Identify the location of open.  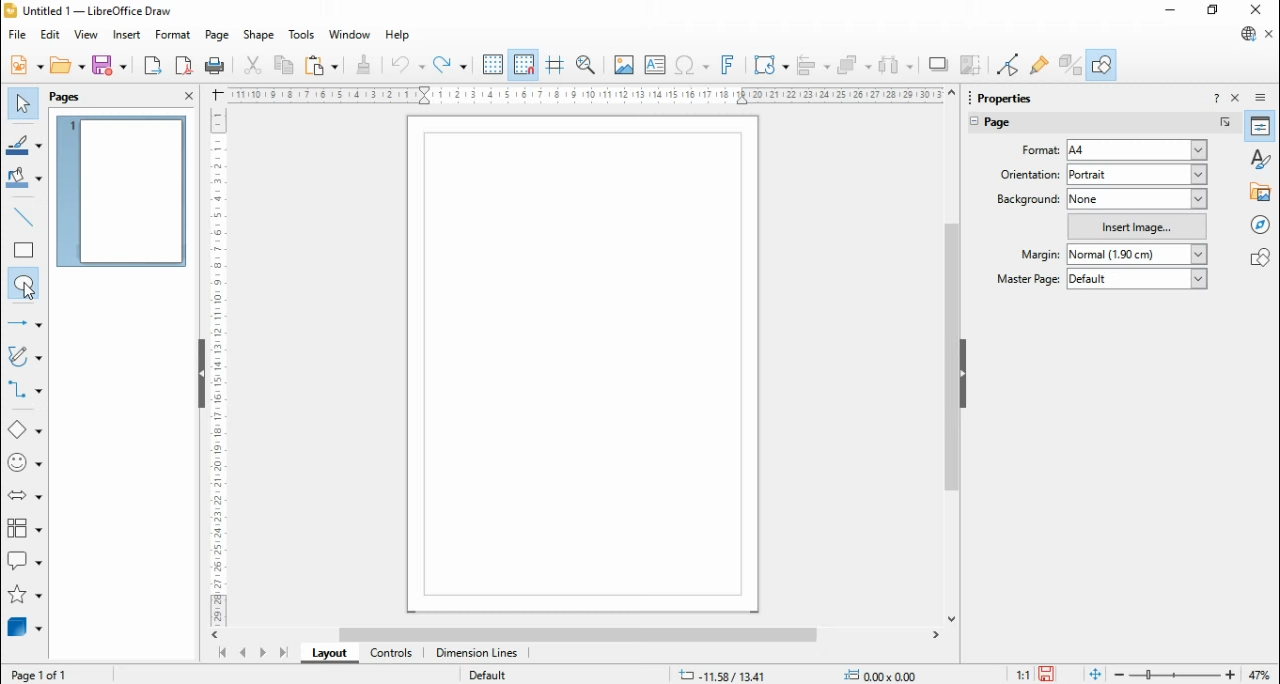
(67, 65).